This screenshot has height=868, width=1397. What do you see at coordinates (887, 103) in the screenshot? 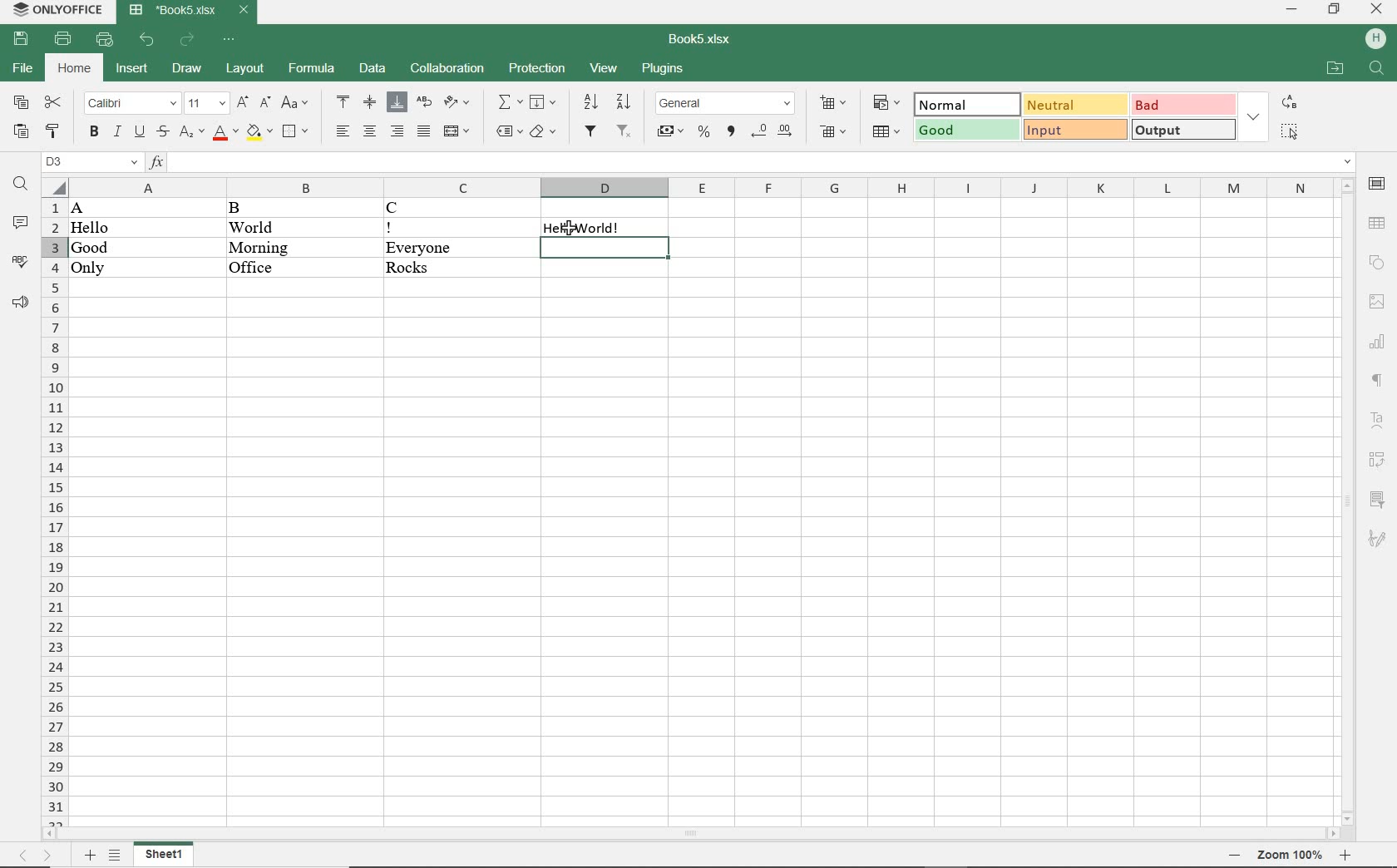
I see `CONDITIONAL FORMATTING` at bounding box center [887, 103].